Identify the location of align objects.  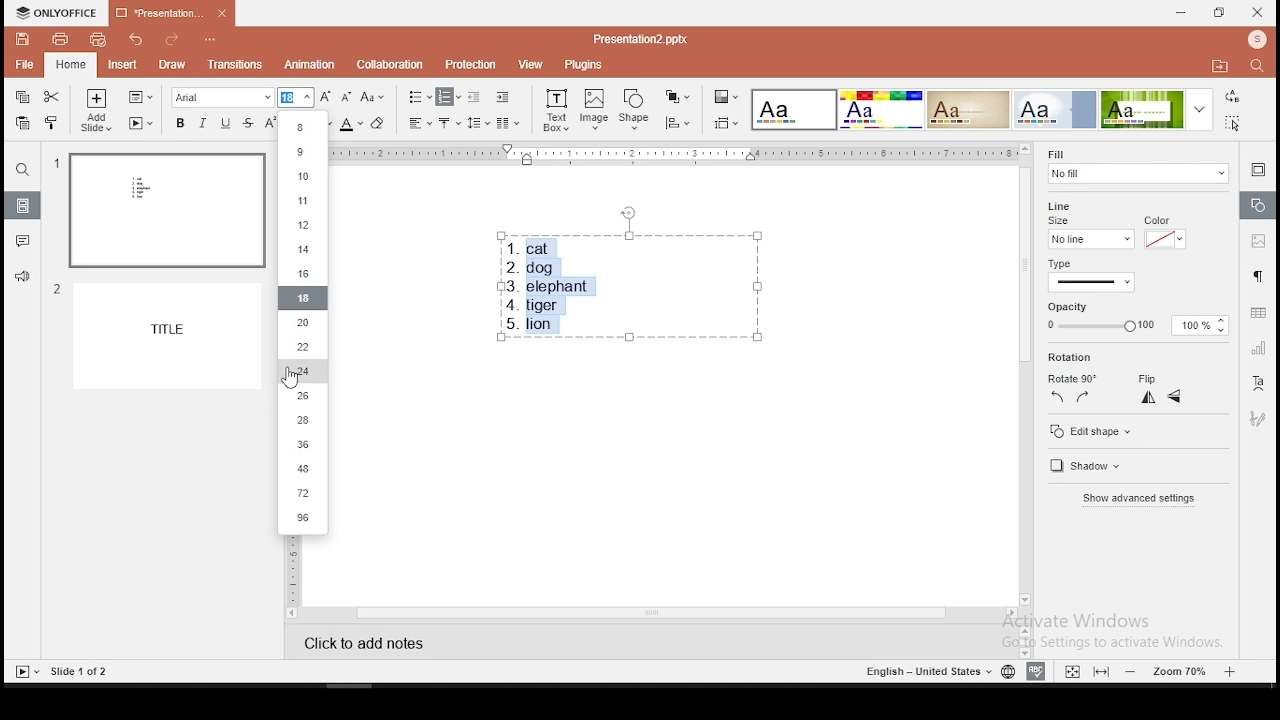
(676, 123).